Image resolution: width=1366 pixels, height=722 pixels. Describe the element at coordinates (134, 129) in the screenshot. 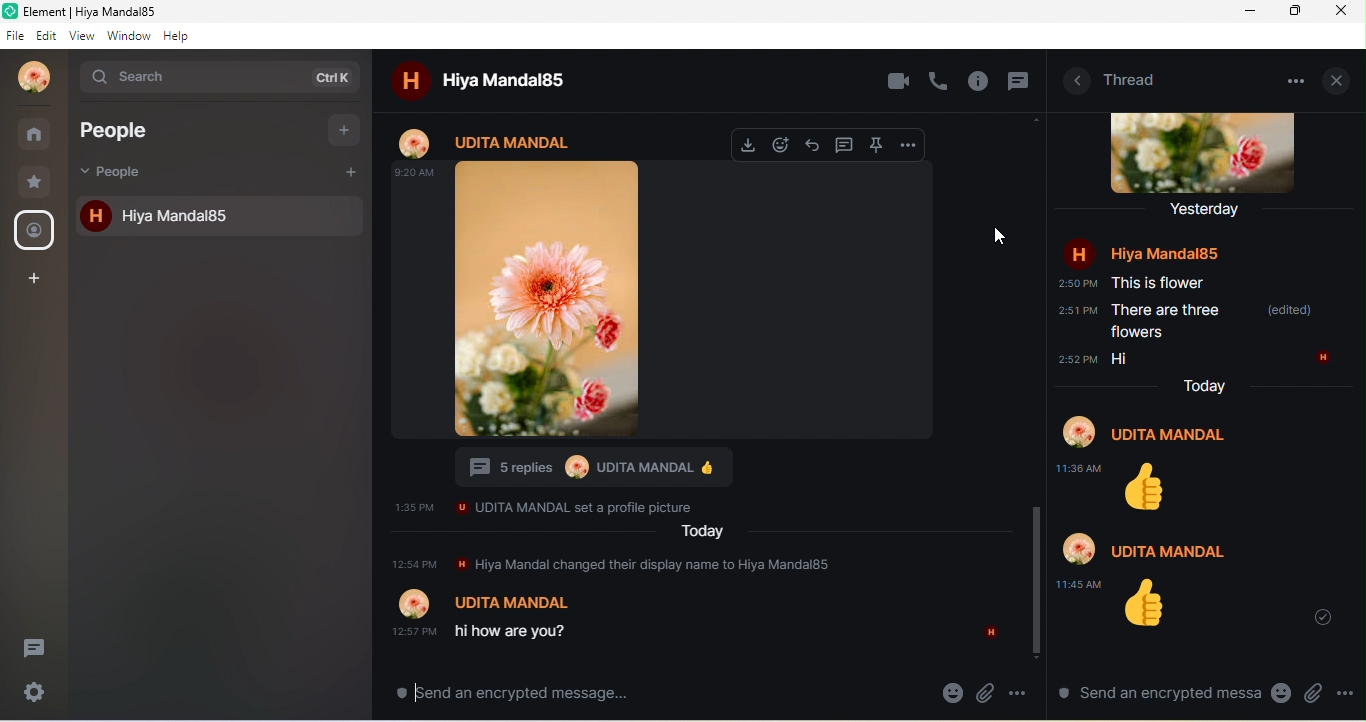

I see `people` at that location.